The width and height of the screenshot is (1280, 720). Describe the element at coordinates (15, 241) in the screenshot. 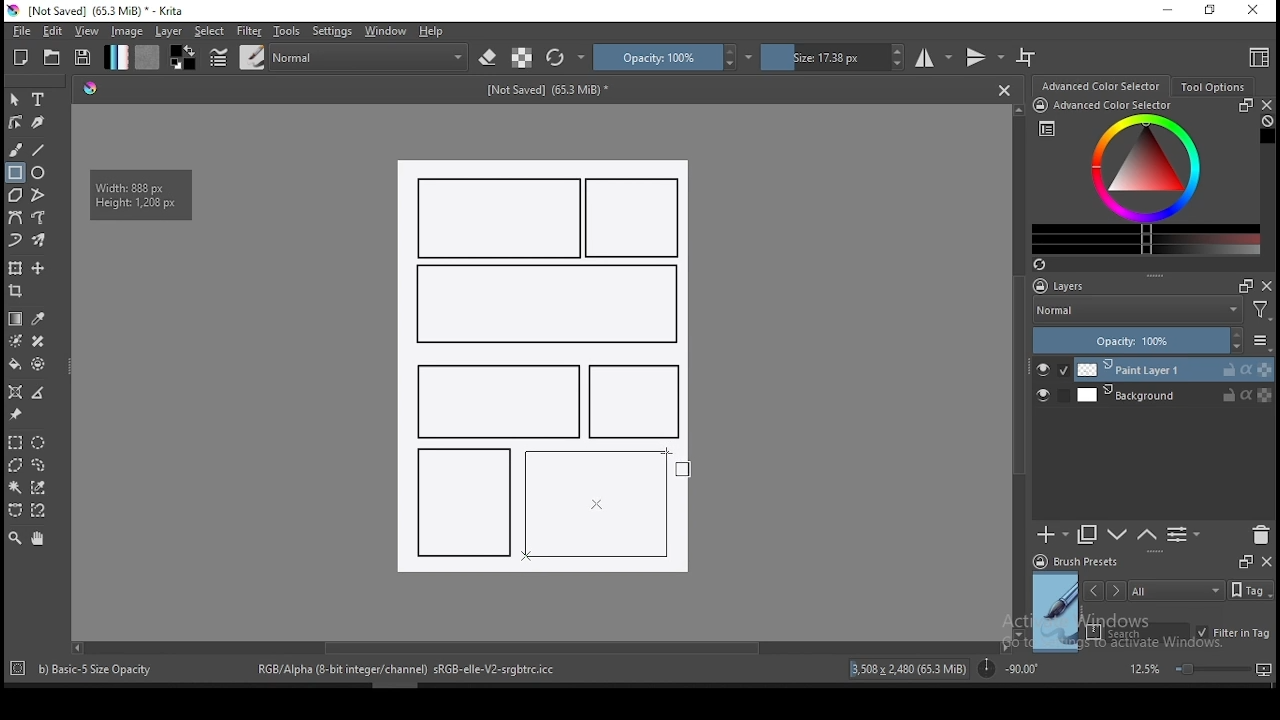

I see `dynamic brush tool` at that location.